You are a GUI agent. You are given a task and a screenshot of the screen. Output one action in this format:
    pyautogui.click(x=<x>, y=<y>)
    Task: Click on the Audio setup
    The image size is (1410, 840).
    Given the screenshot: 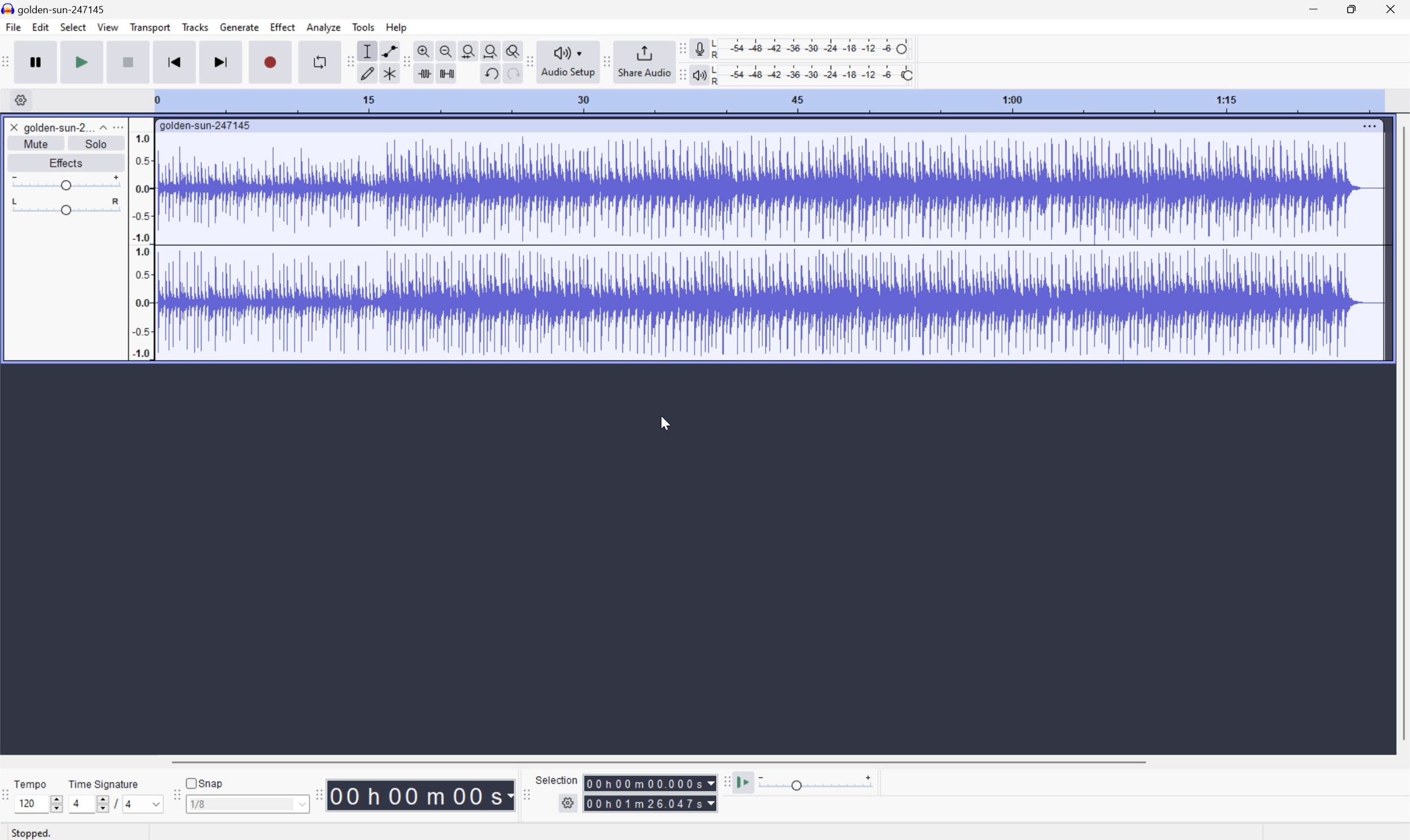 What is the action you would take?
    pyautogui.click(x=569, y=62)
    